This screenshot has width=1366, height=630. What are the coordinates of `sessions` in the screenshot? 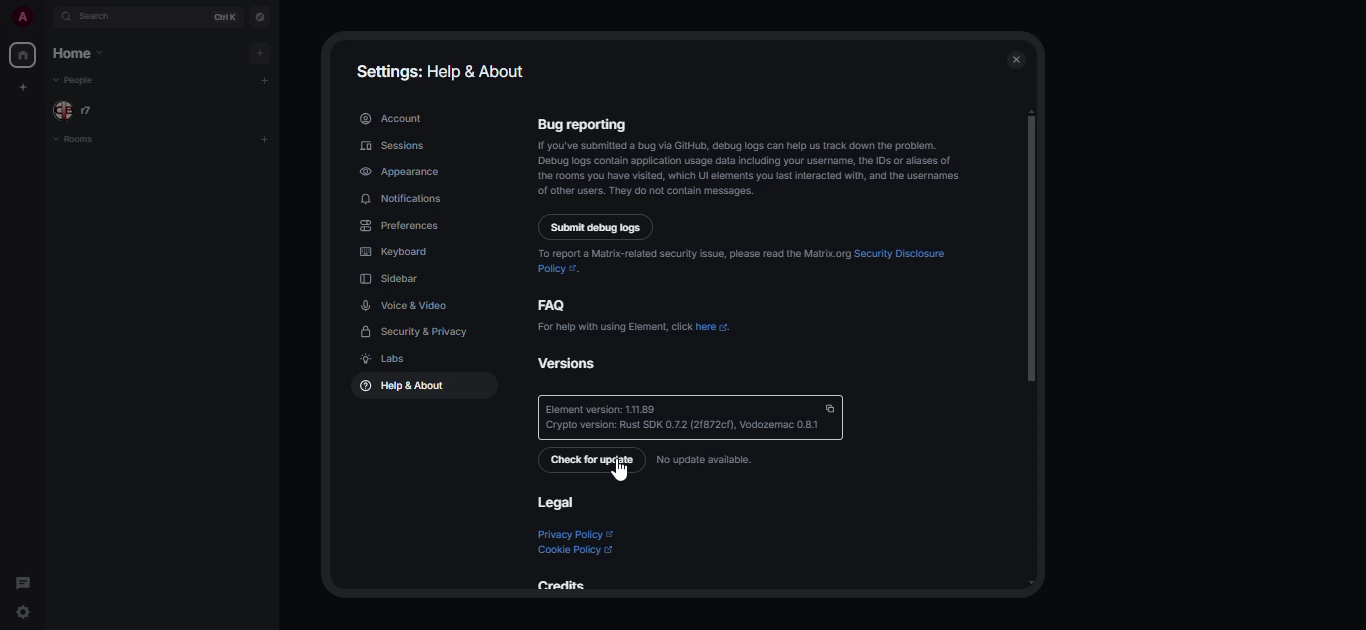 It's located at (397, 146).